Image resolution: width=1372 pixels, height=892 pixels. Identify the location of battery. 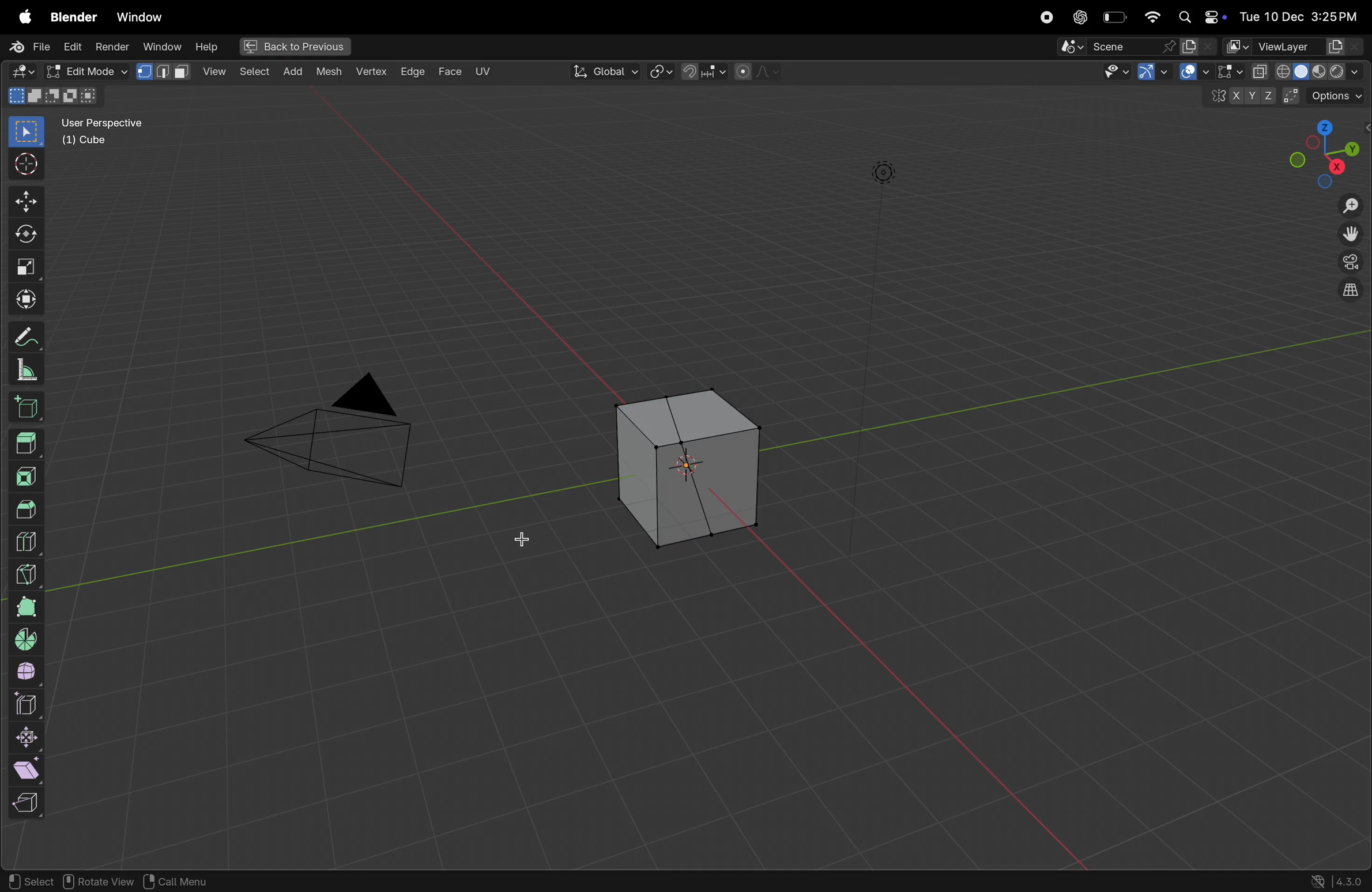
(1114, 18).